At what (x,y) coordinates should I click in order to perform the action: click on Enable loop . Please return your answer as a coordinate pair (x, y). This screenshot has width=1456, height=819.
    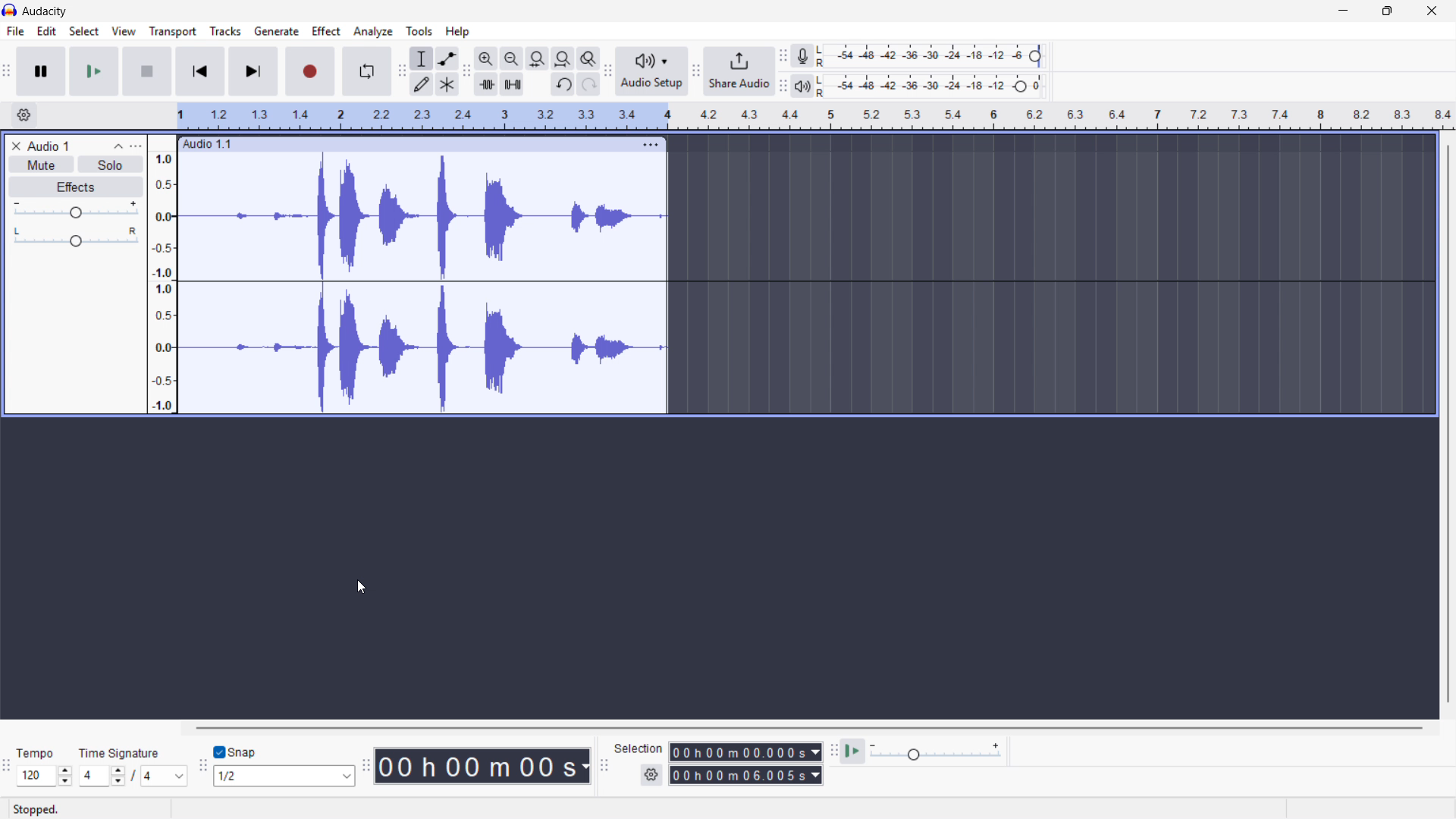
    Looking at the image, I should click on (367, 71).